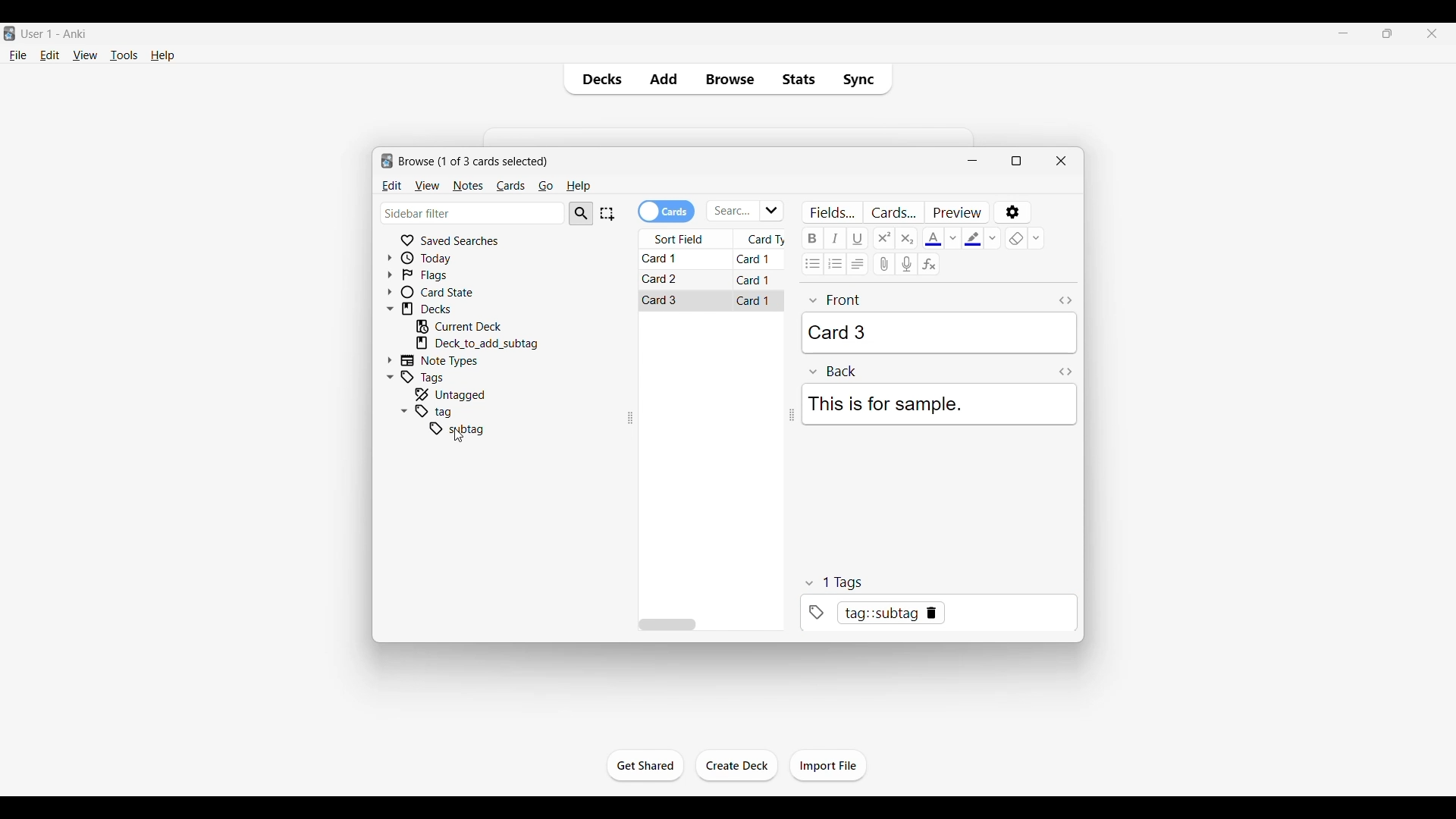 The image size is (1456, 819). Describe the element at coordinates (836, 300) in the screenshot. I see `front` at that location.